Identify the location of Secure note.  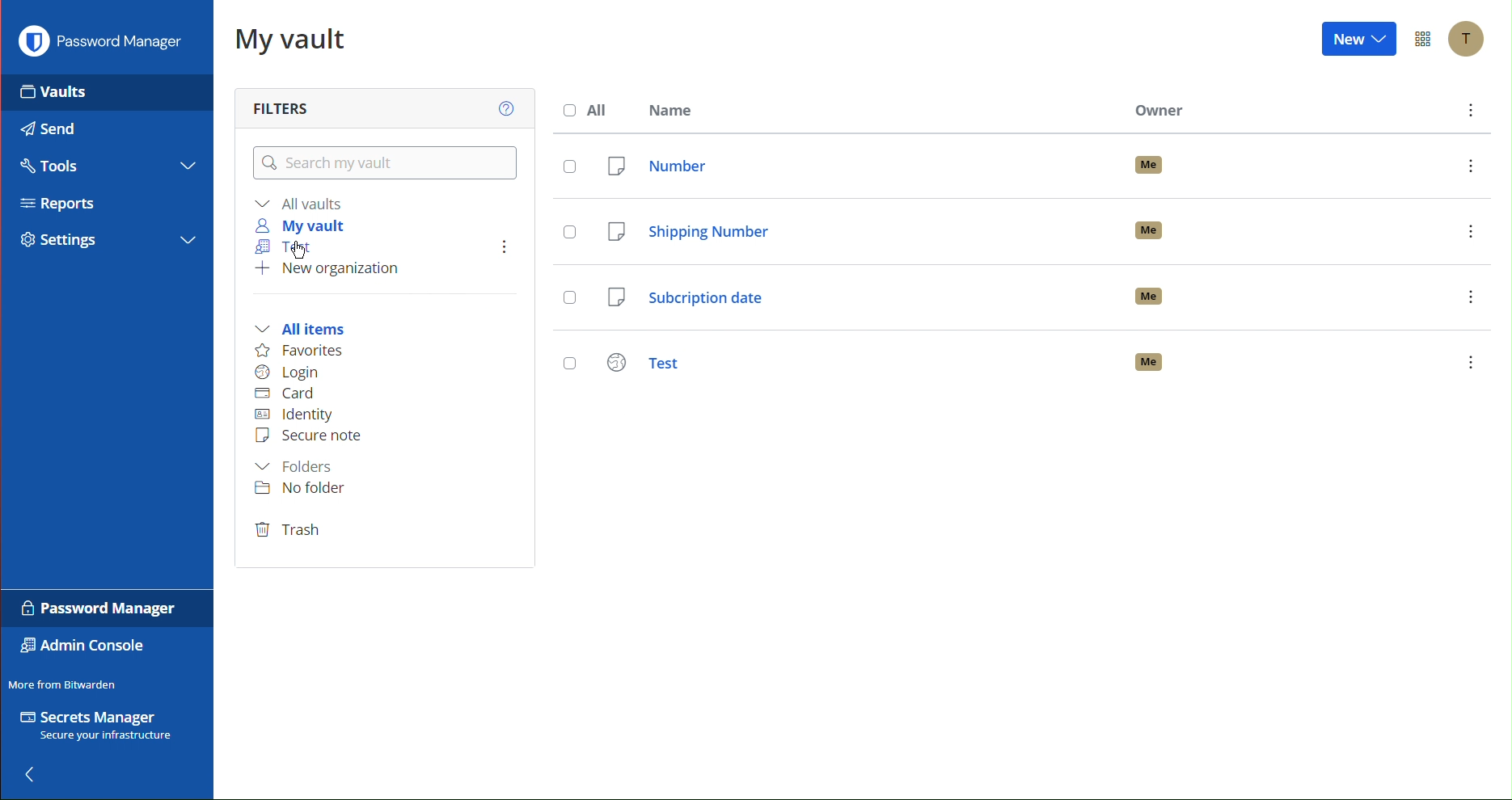
(310, 436).